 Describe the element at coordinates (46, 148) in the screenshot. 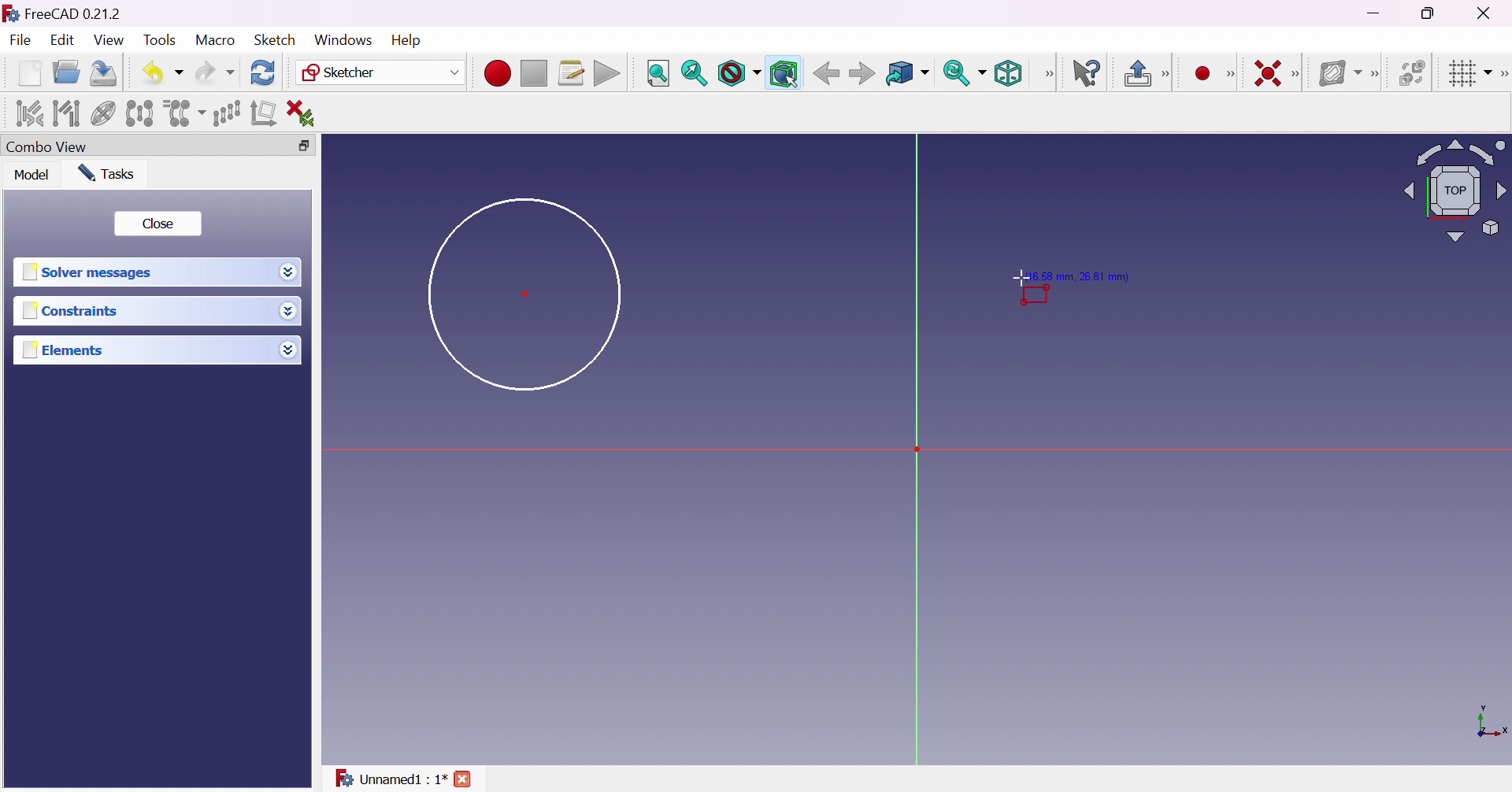

I see `Combo view` at that location.